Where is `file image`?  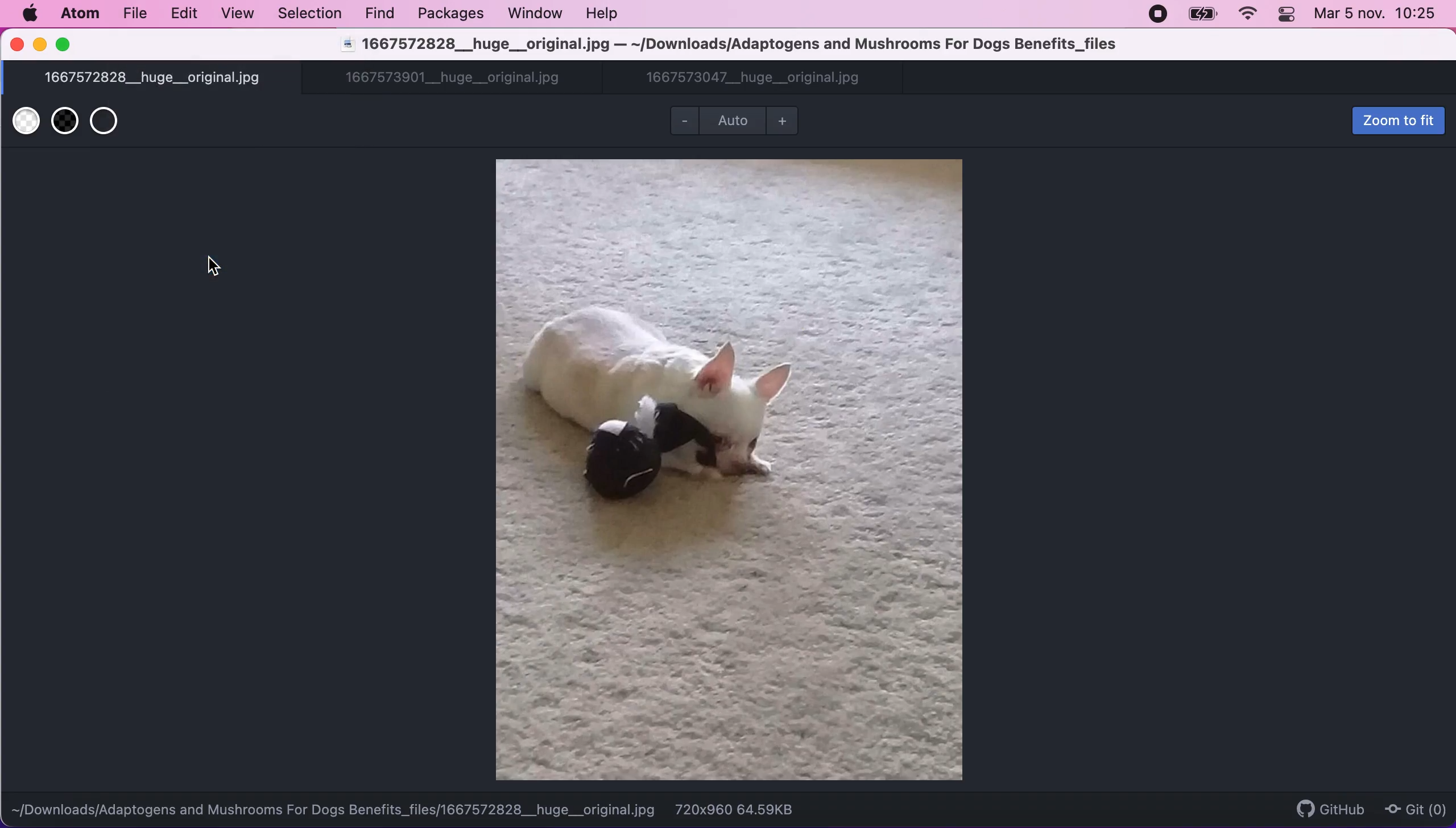
file image is located at coordinates (730, 469).